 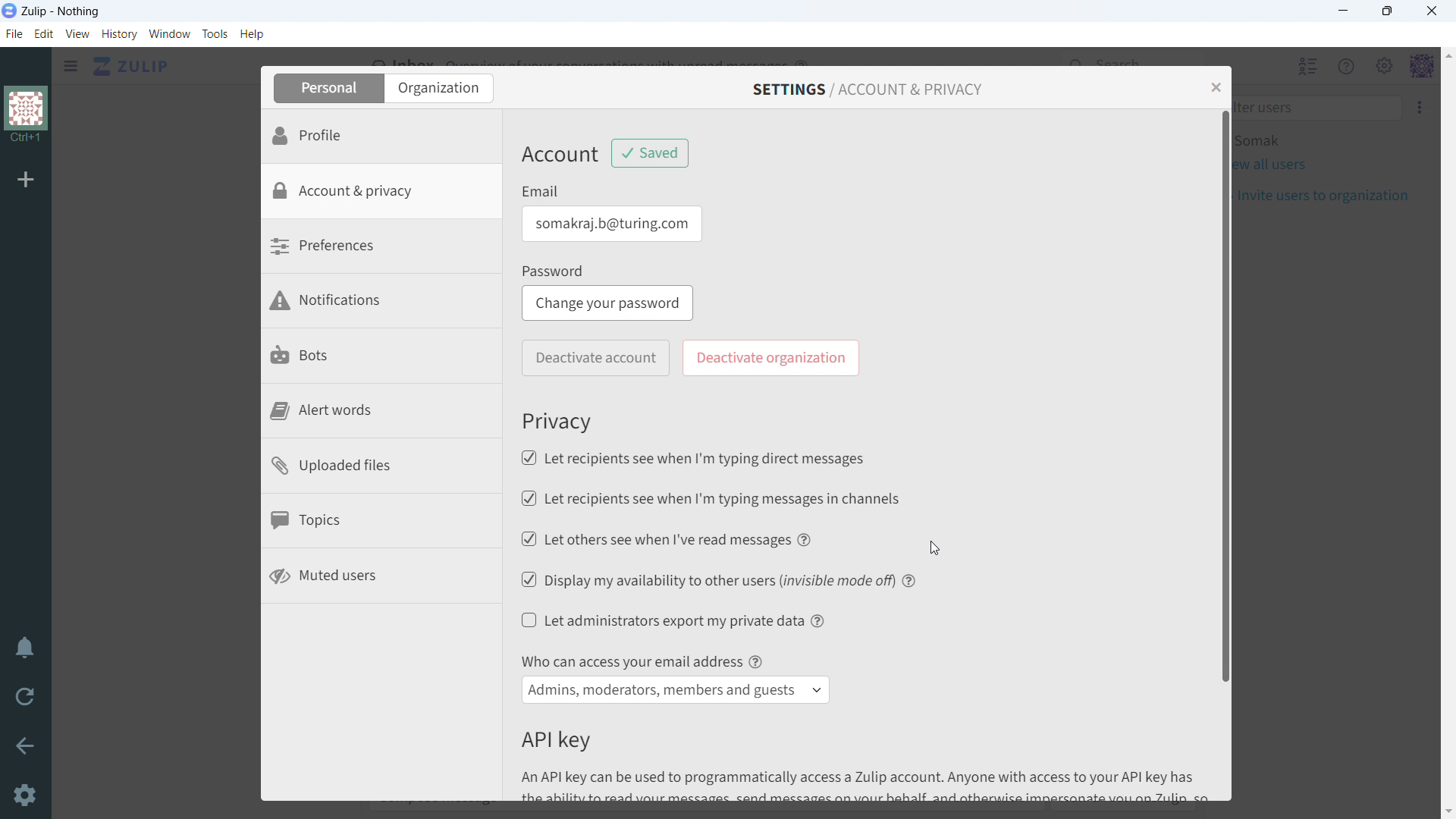 I want to click on let recipients see when i'm typing direct messages, so click(x=696, y=457).